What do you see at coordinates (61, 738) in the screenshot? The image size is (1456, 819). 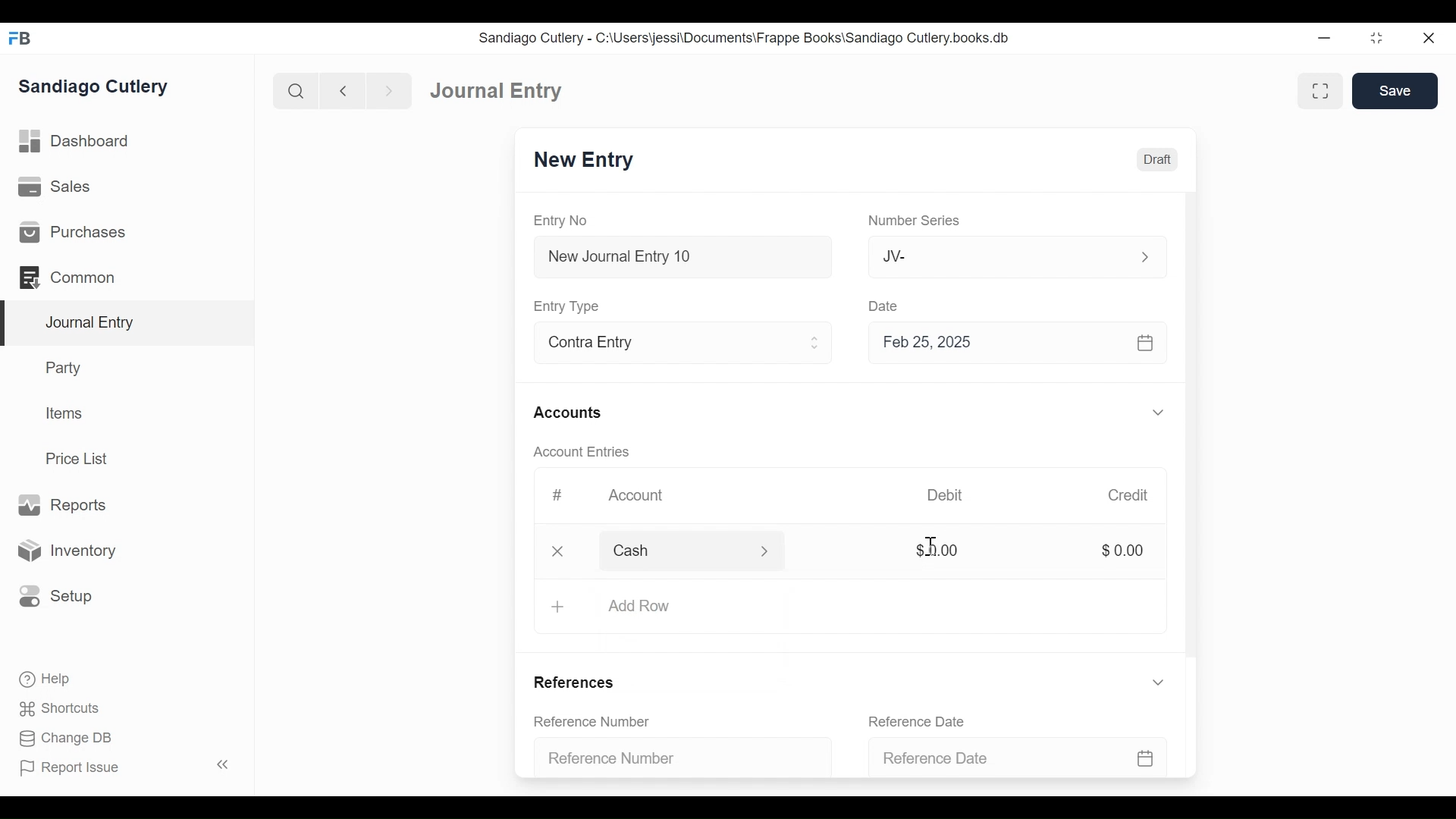 I see `Change DB` at bounding box center [61, 738].